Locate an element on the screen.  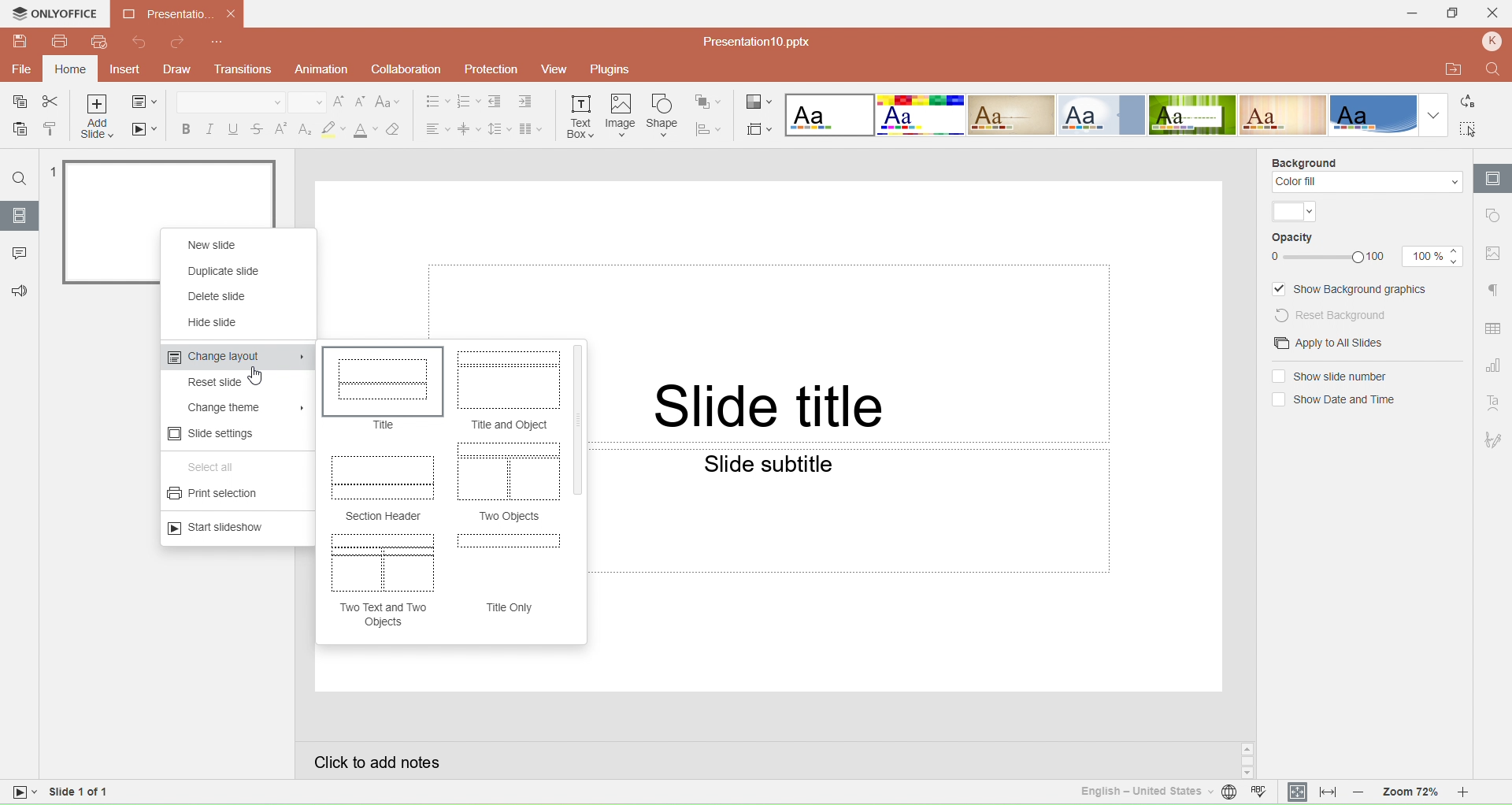
Slide setting is located at coordinates (1492, 178).